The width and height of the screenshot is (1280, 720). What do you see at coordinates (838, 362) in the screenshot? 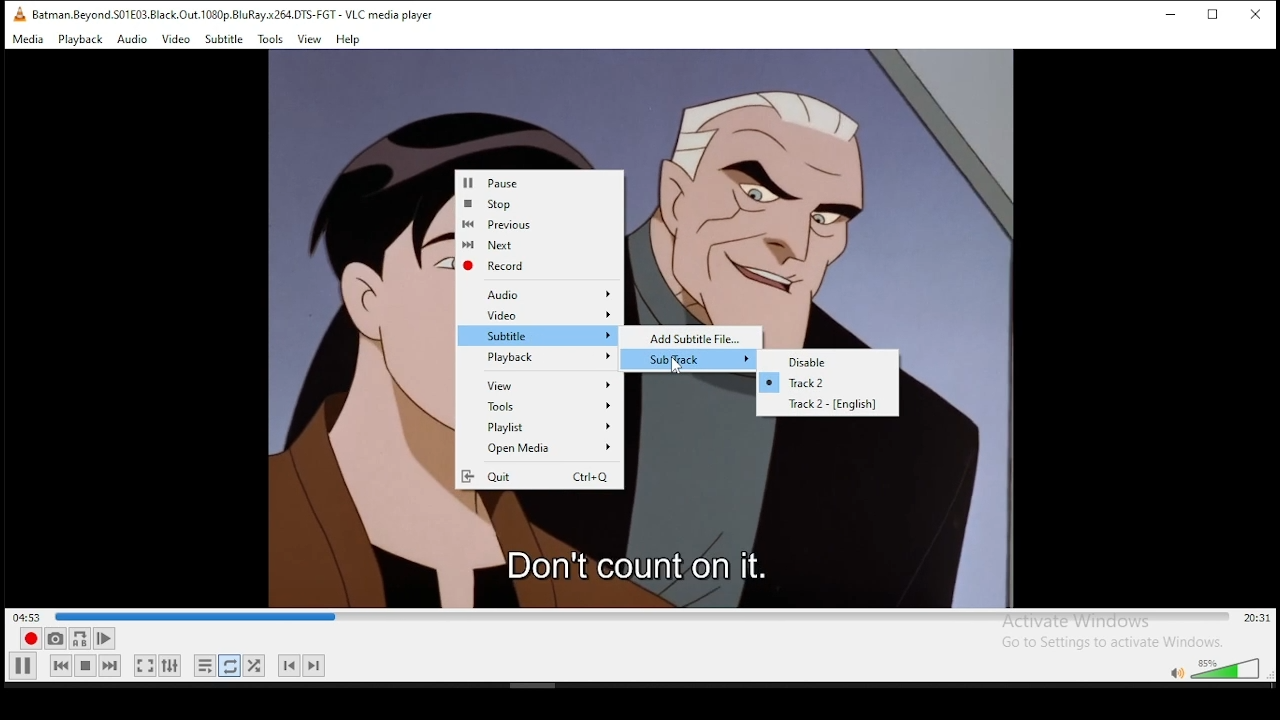
I see `Disable` at bounding box center [838, 362].